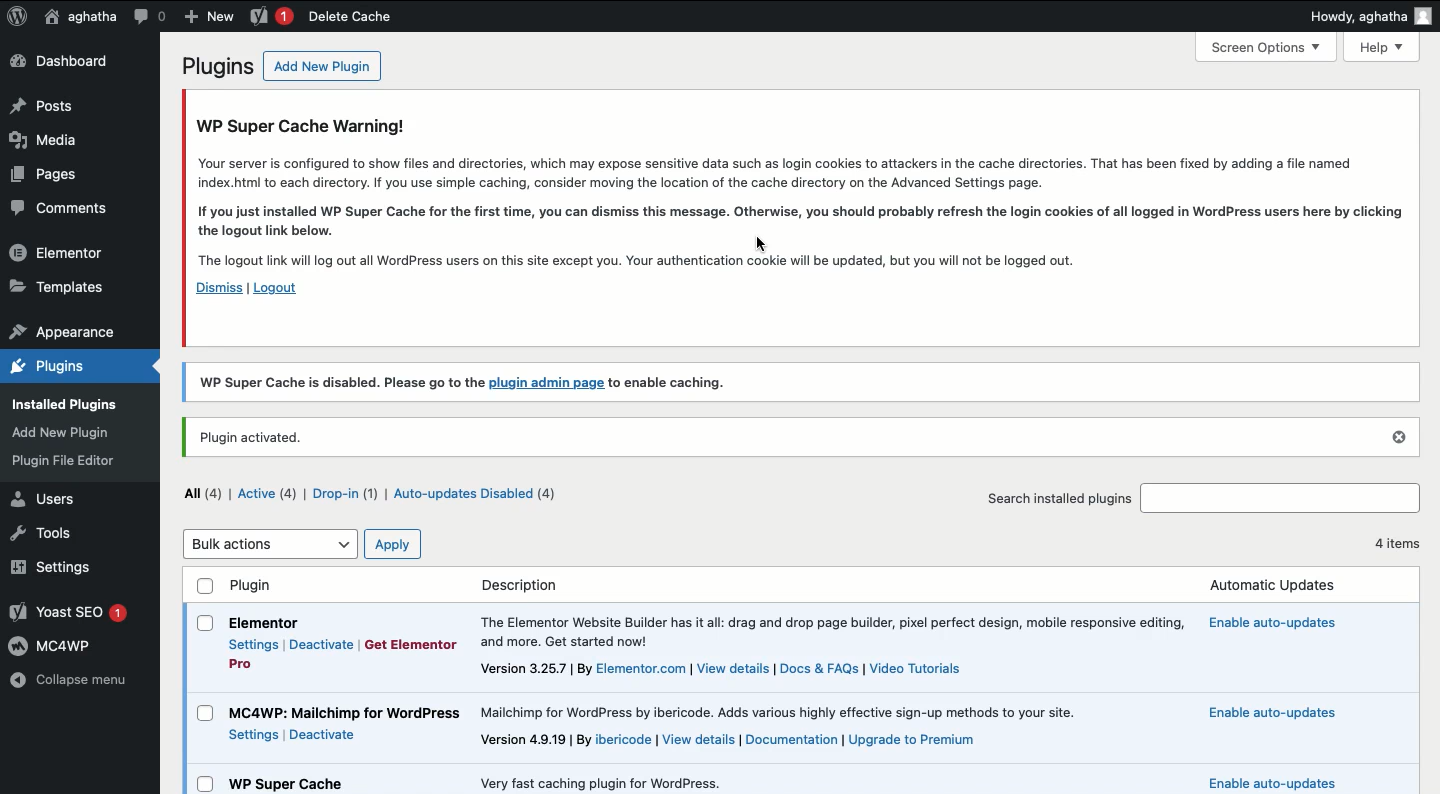 The image size is (1440, 794). Describe the element at coordinates (51, 177) in the screenshot. I see `Pages` at that location.